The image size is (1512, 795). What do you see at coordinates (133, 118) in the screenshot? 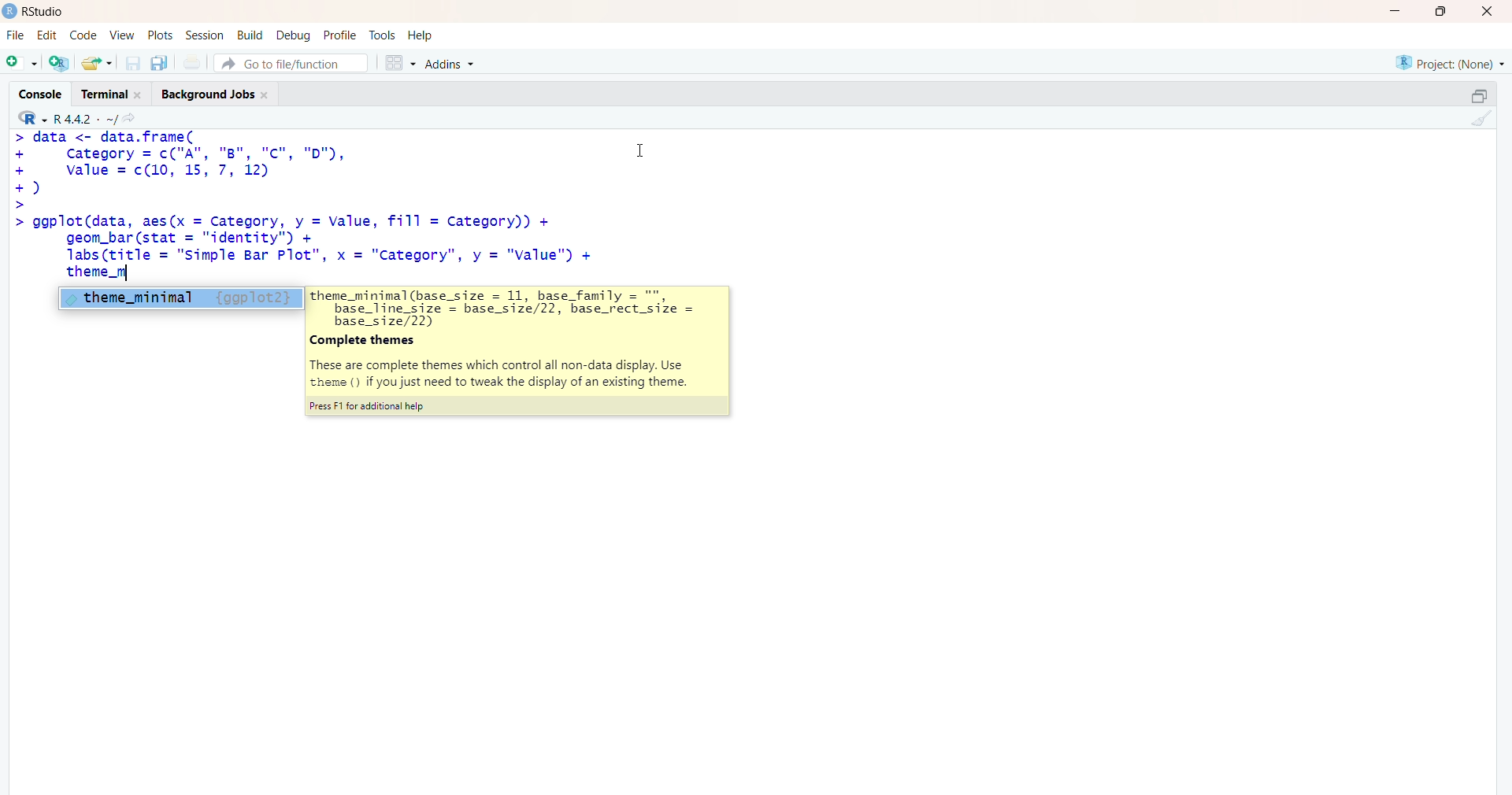
I see `go to directiory` at bounding box center [133, 118].